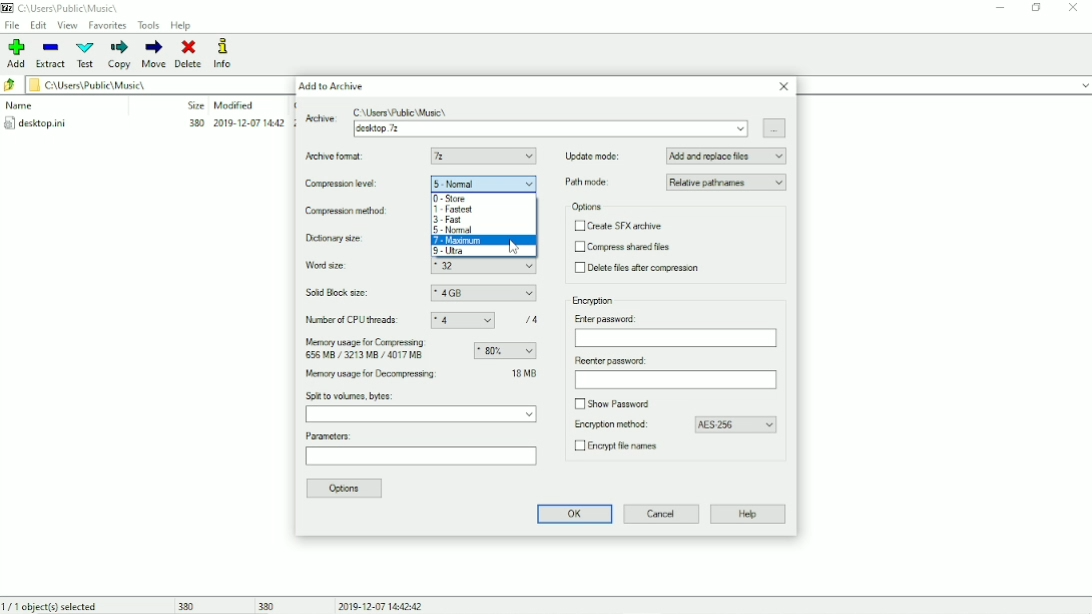 This screenshot has height=614, width=1092. Describe the element at coordinates (338, 156) in the screenshot. I see `Archive format` at that location.